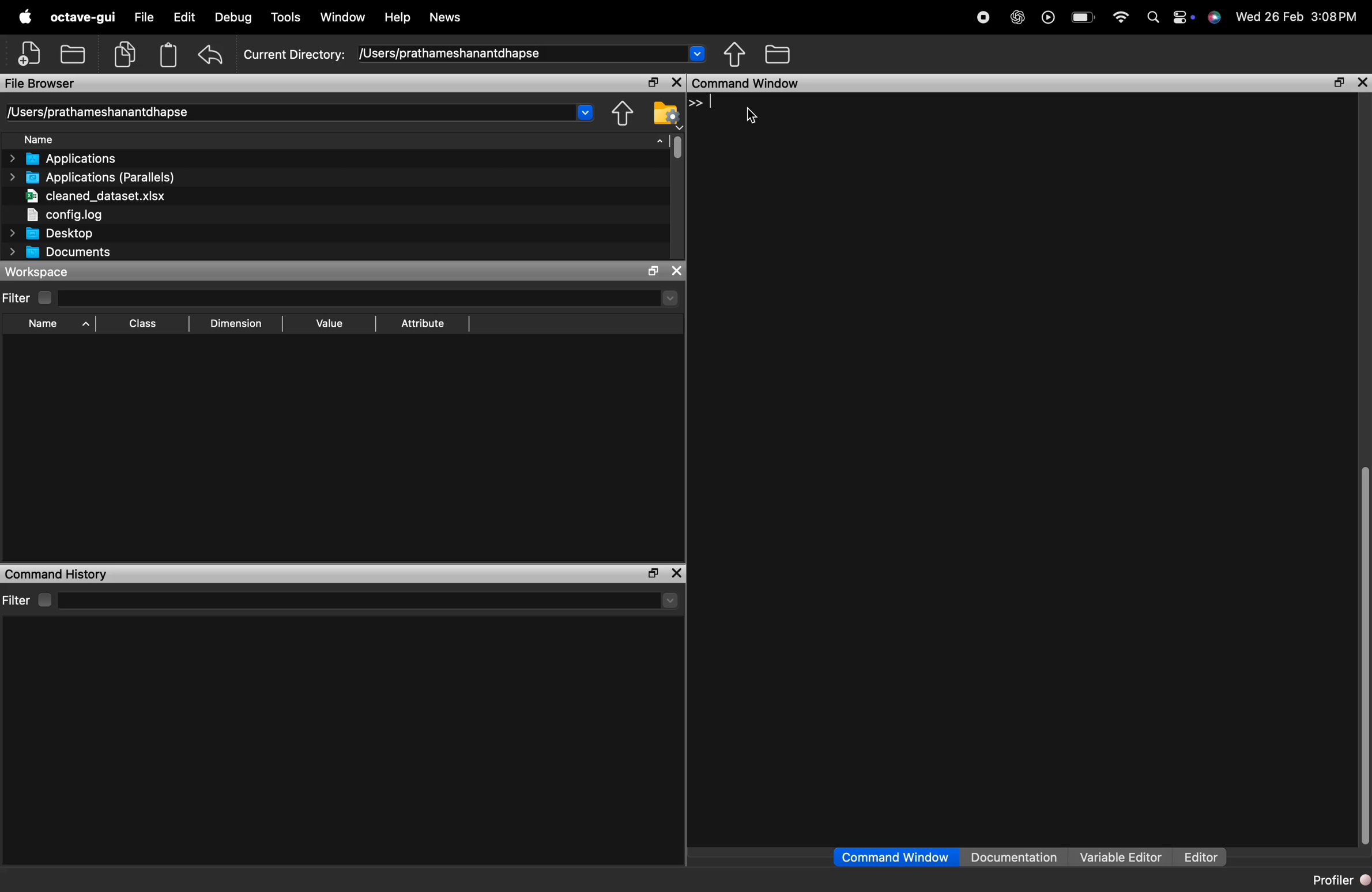 The image size is (1372, 892). Describe the element at coordinates (1363, 655) in the screenshot. I see `vertical scrollbar` at that location.